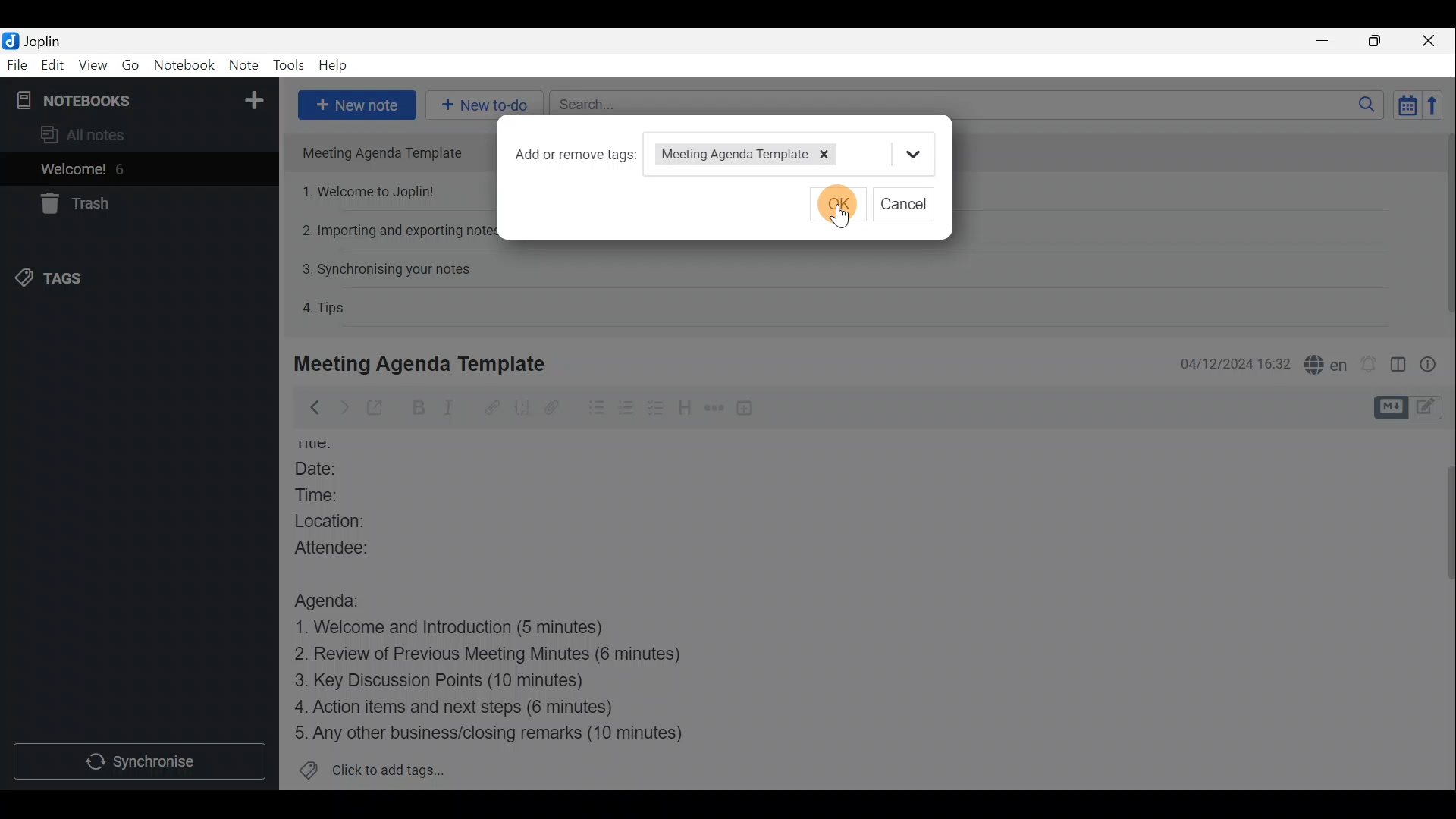  What do you see at coordinates (400, 231) in the screenshot?
I see `2. Importing and exporting notes` at bounding box center [400, 231].